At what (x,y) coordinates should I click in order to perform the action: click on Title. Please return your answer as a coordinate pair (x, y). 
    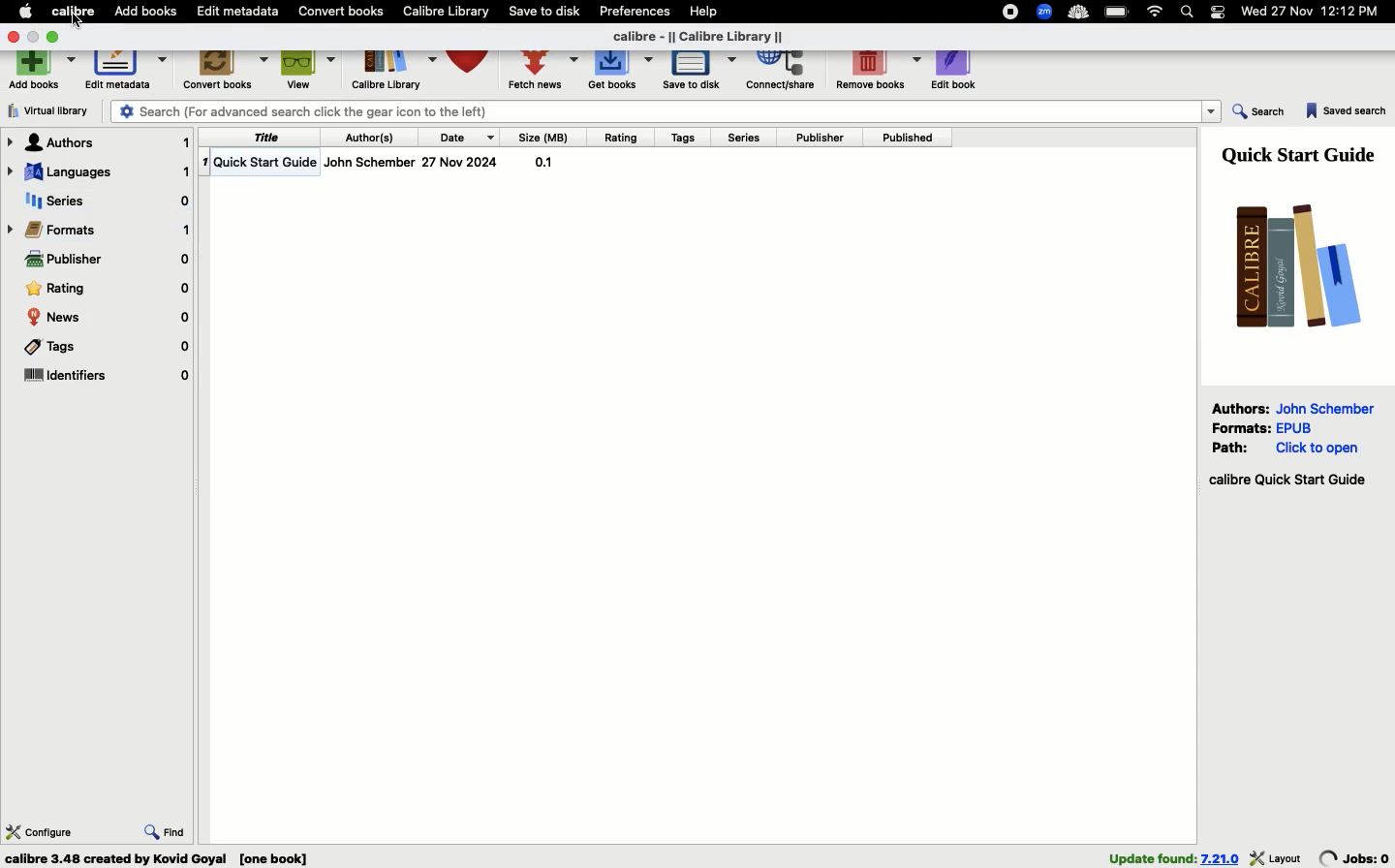
    Looking at the image, I should click on (700, 36).